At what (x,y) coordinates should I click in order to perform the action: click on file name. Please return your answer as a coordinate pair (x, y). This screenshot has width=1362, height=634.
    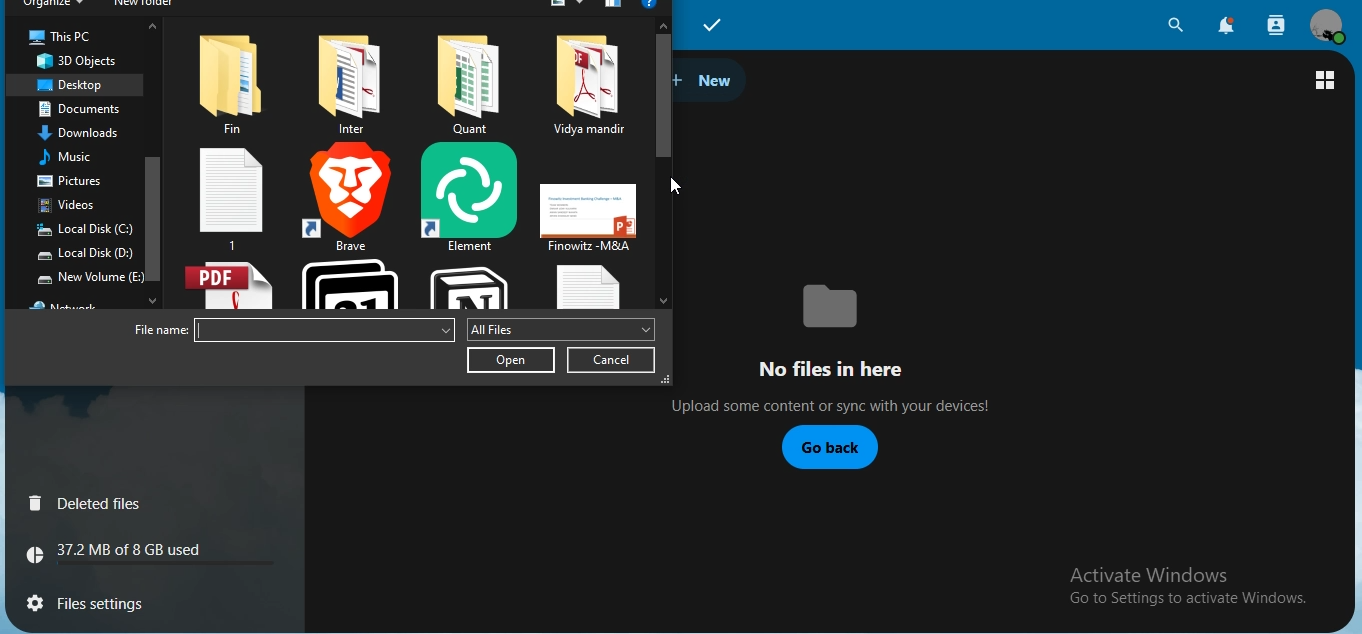
    Looking at the image, I should click on (324, 330).